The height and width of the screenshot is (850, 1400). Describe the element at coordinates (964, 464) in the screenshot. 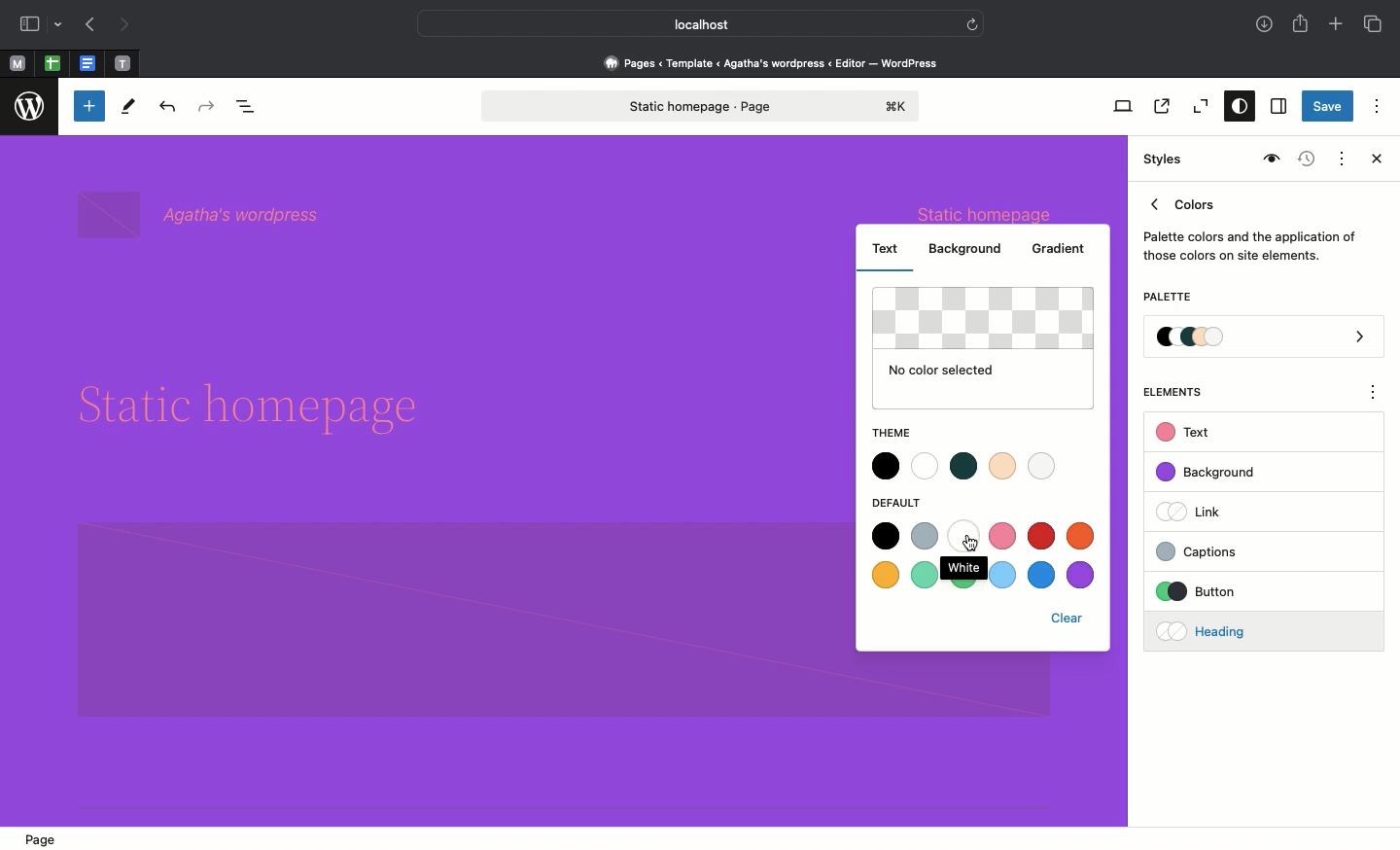

I see `Theme color` at that location.